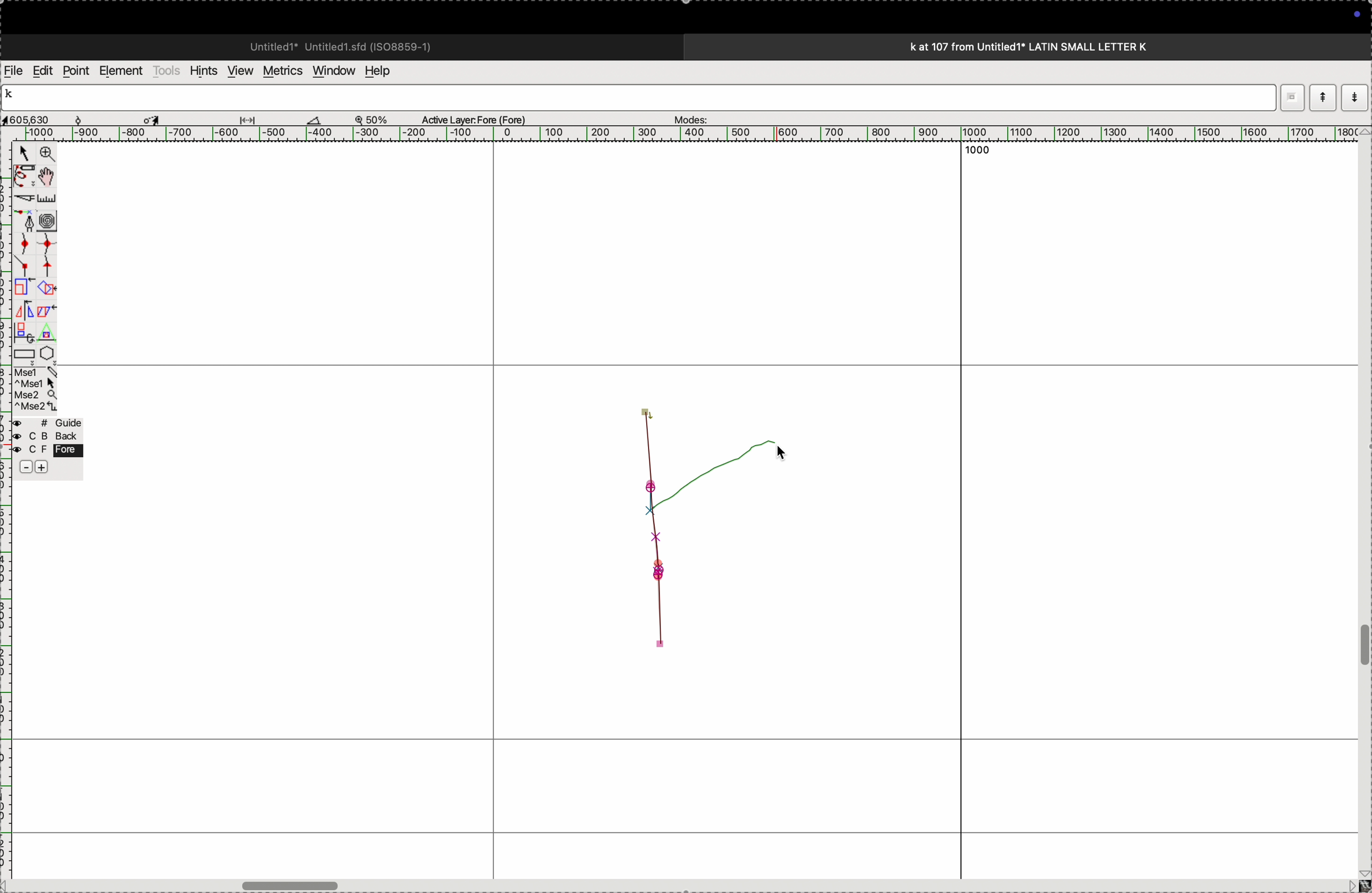  I want to click on pen, so click(24, 176).